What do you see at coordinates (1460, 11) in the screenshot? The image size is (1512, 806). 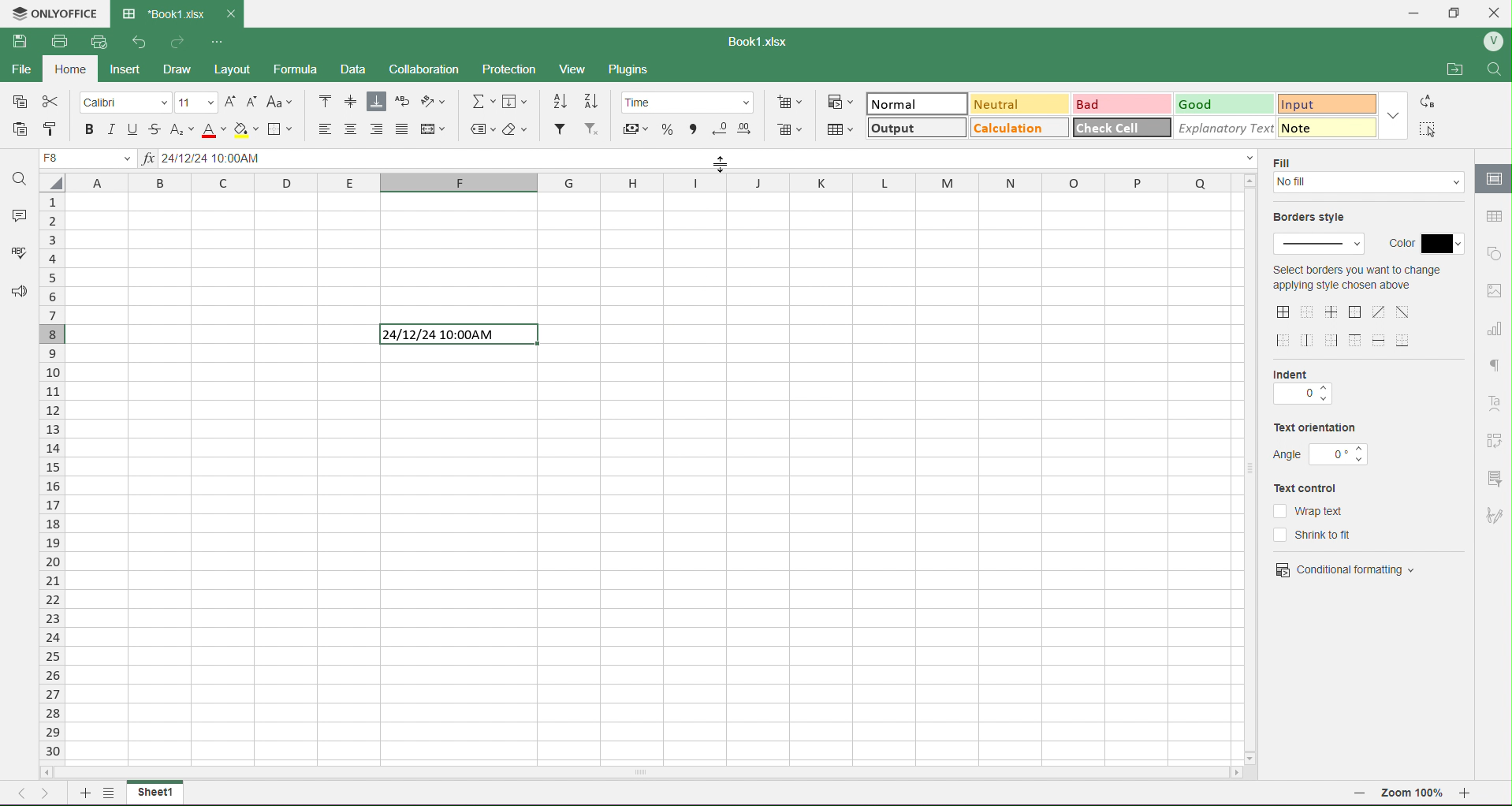 I see `maximize` at bounding box center [1460, 11].